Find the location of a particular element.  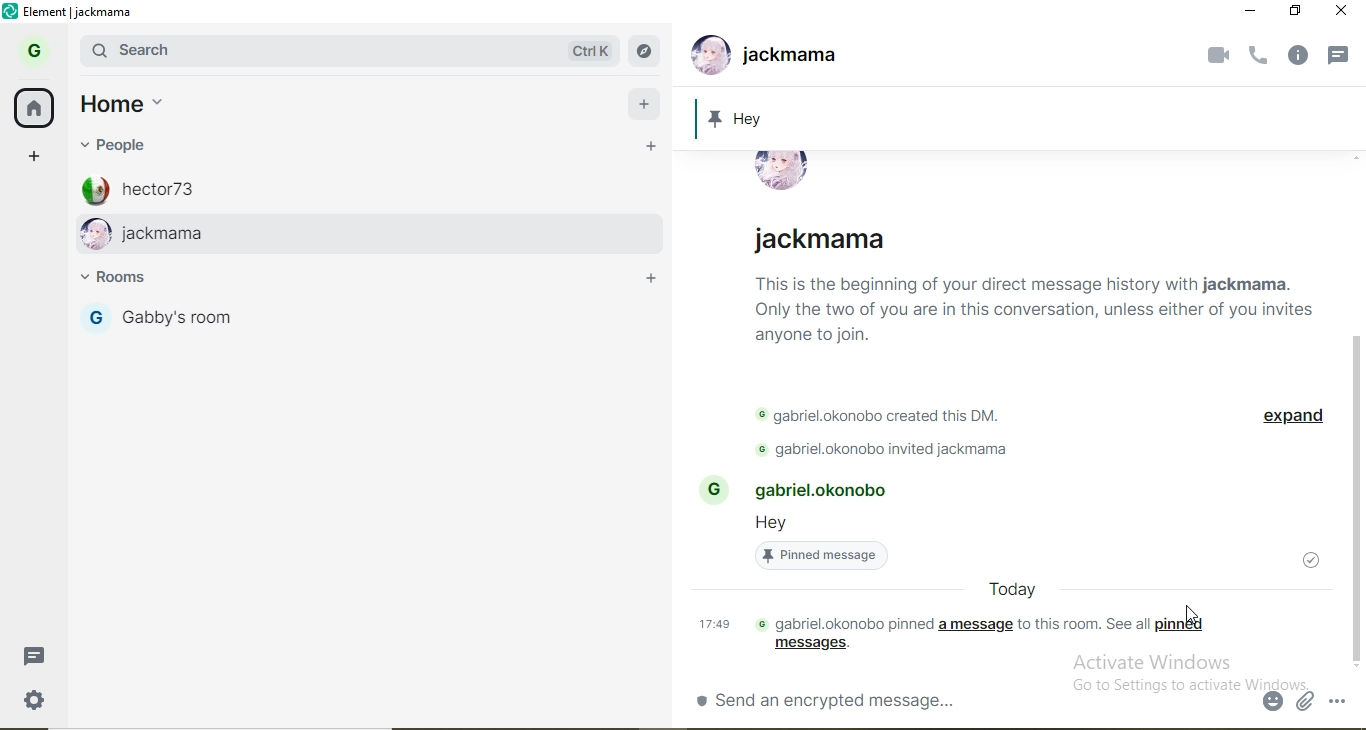

home is located at coordinates (34, 110).